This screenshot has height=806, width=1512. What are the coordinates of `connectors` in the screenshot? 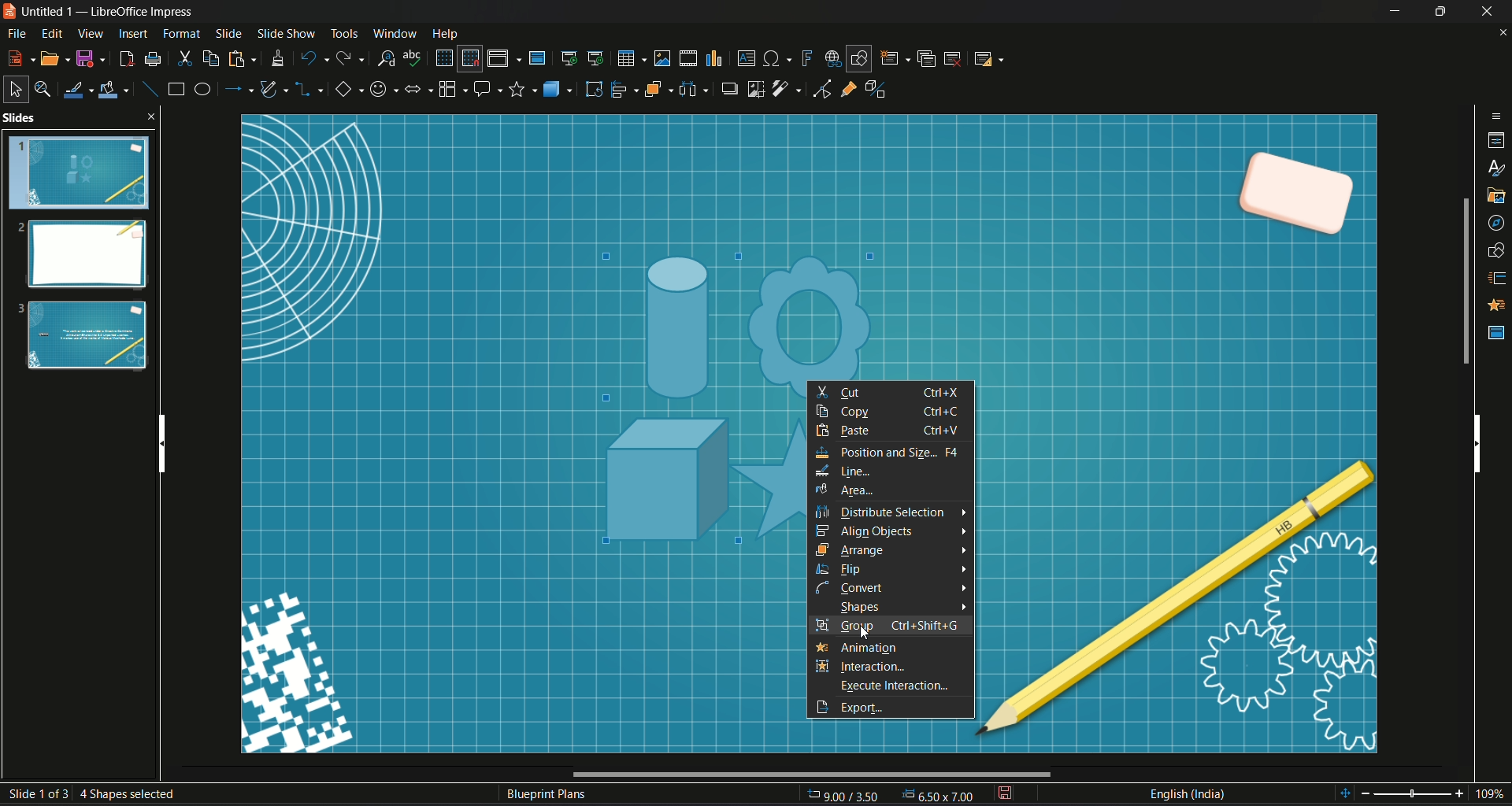 It's located at (309, 91).